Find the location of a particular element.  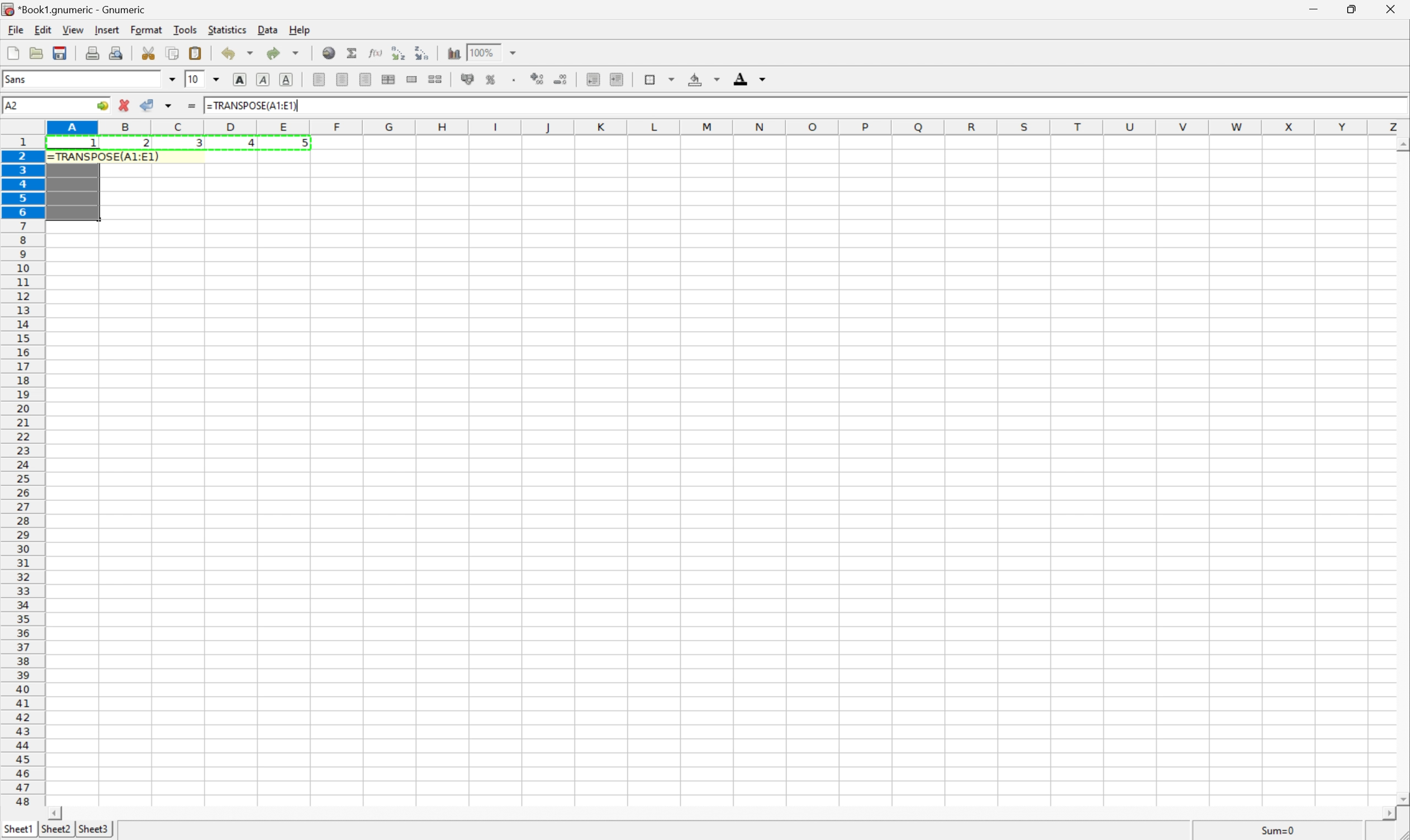

print is located at coordinates (92, 52).